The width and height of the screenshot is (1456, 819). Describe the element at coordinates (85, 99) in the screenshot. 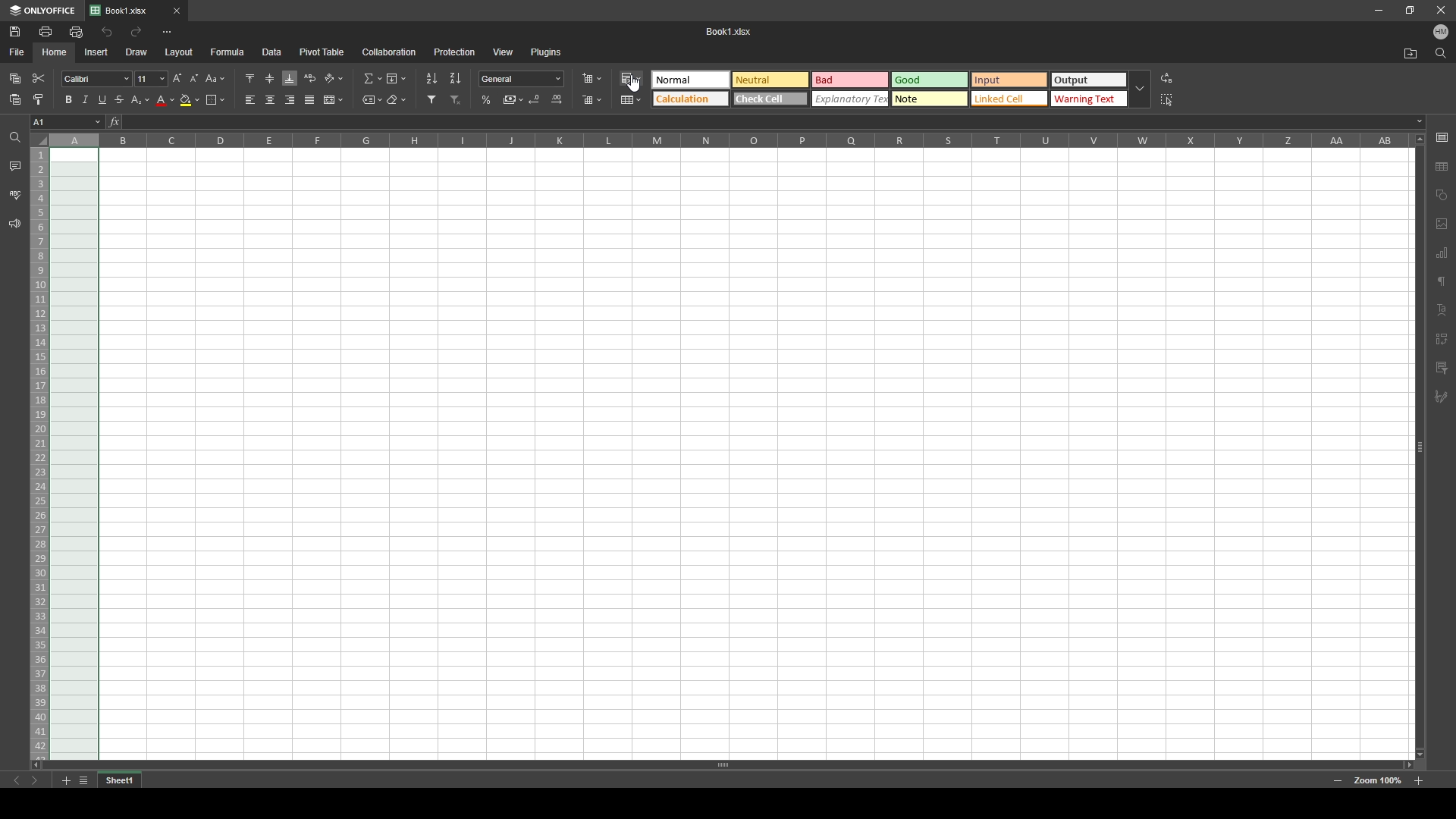

I see `italic` at that location.